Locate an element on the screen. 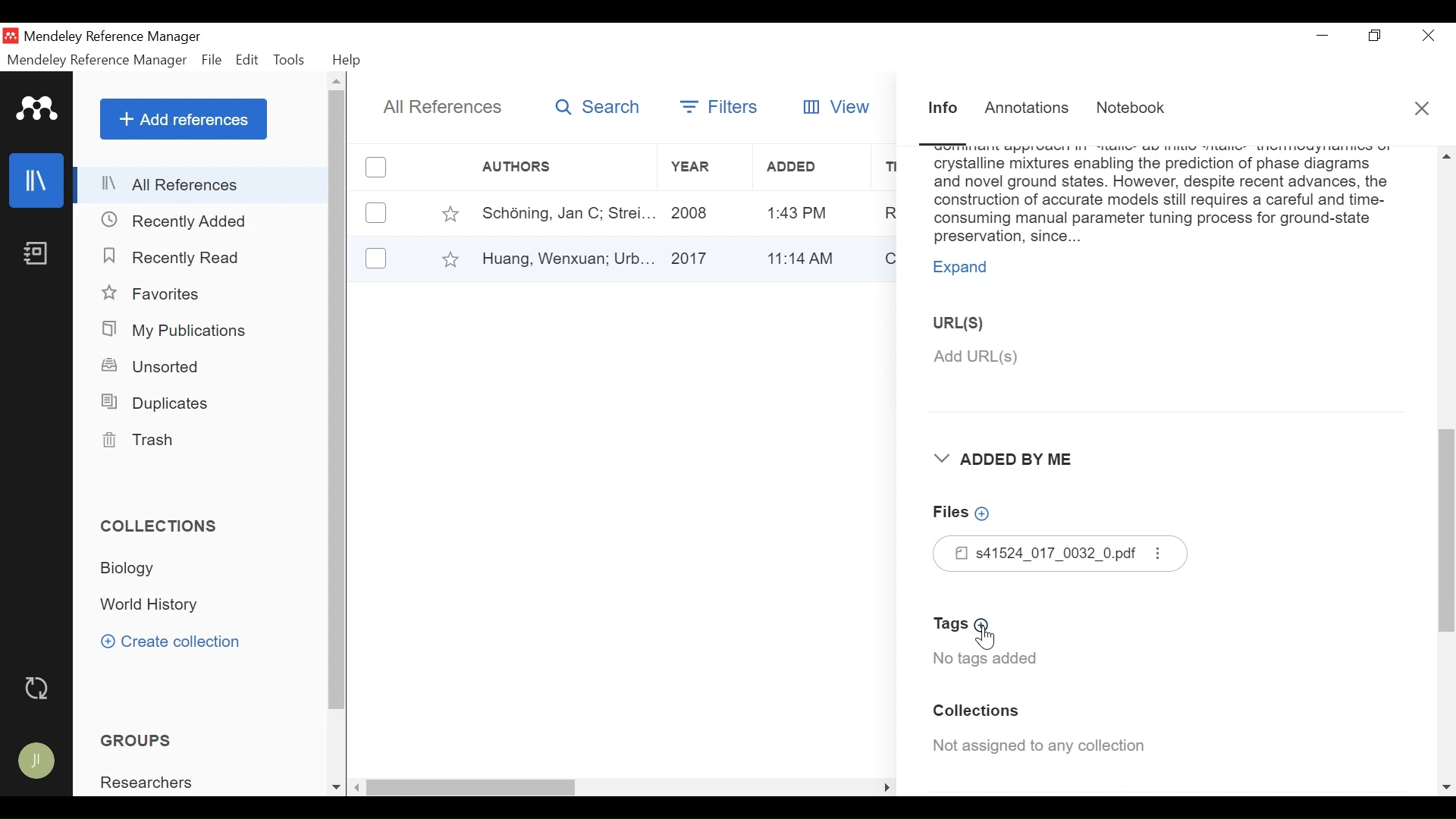 The image size is (1456, 819). Add URL(S) is located at coordinates (1064, 357).